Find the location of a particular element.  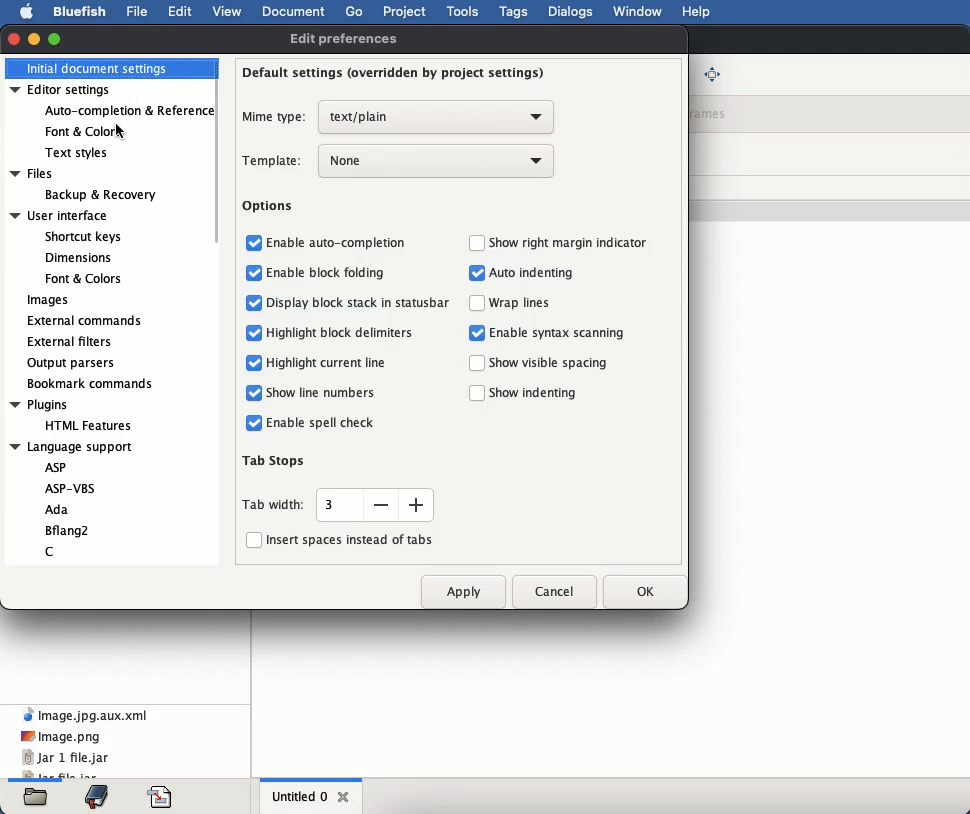

none is located at coordinates (435, 159).